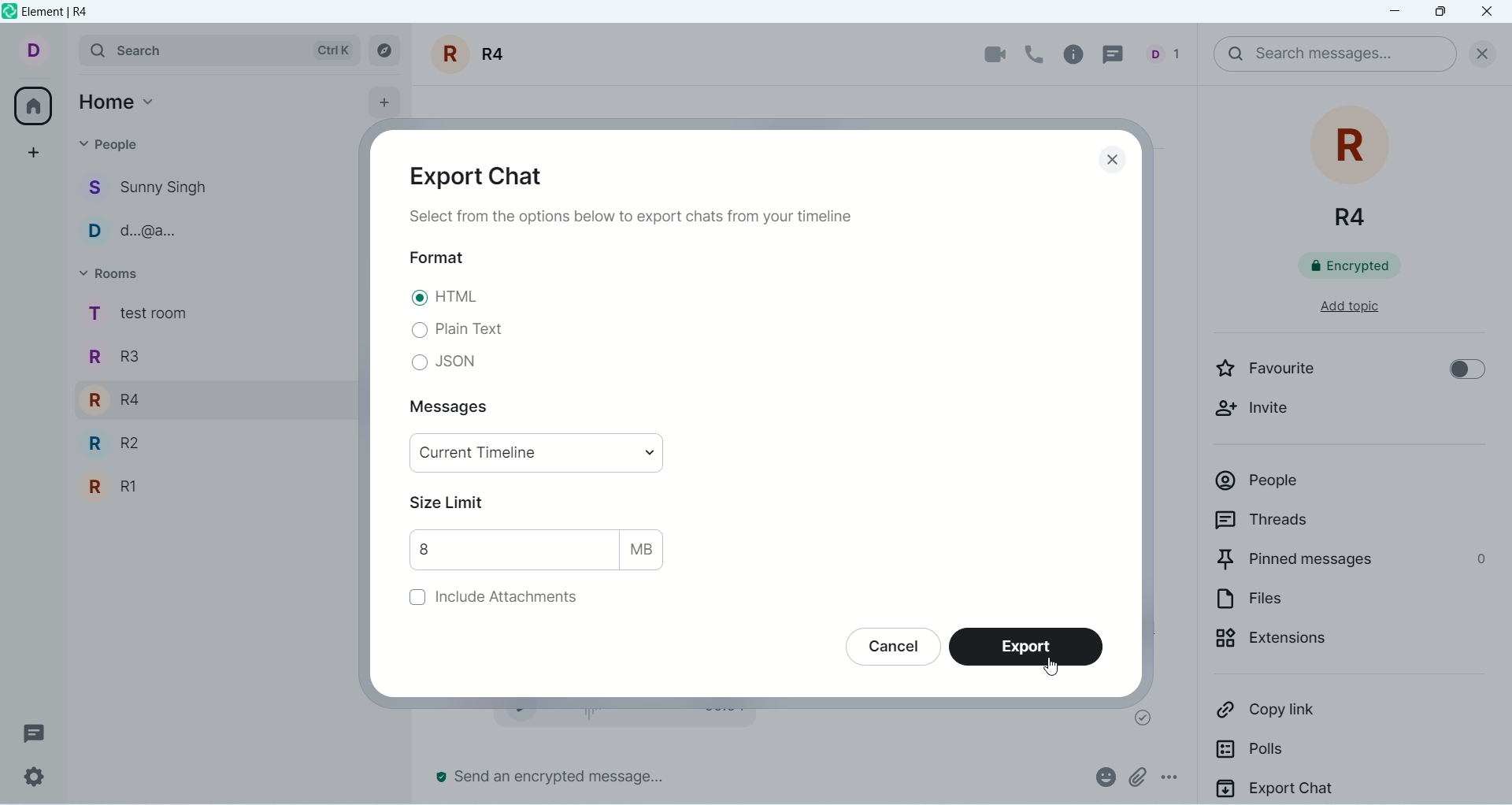 This screenshot has width=1512, height=805. What do you see at coordinates (1362, 265) in the screenshot?
I see `encrypted` at bounding box center [1362, 265].